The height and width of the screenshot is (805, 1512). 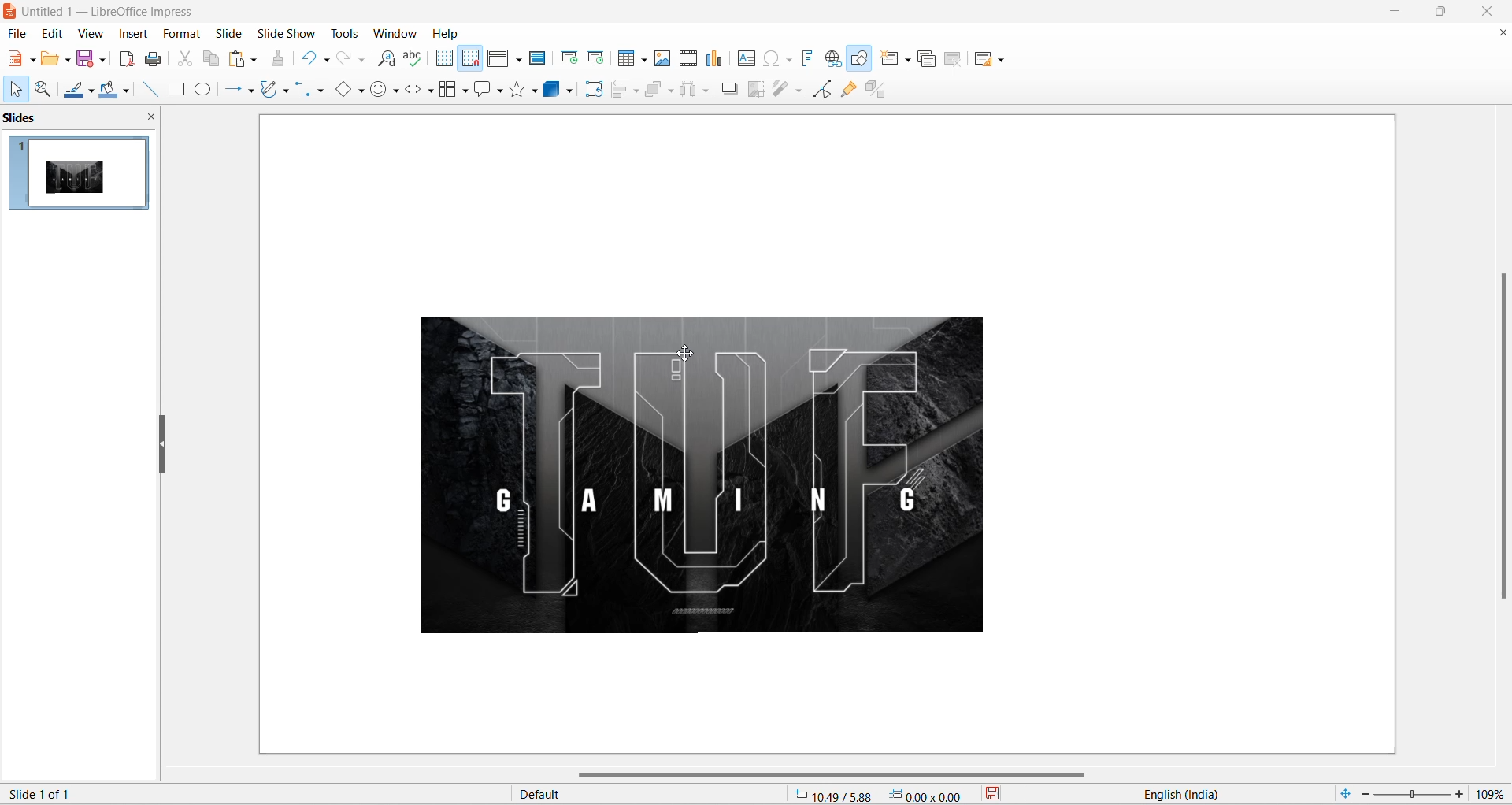 What do you see at coordinates (927, 61) in the screenshot?
I see `duplicate slide` at bounding box center [927, 61].